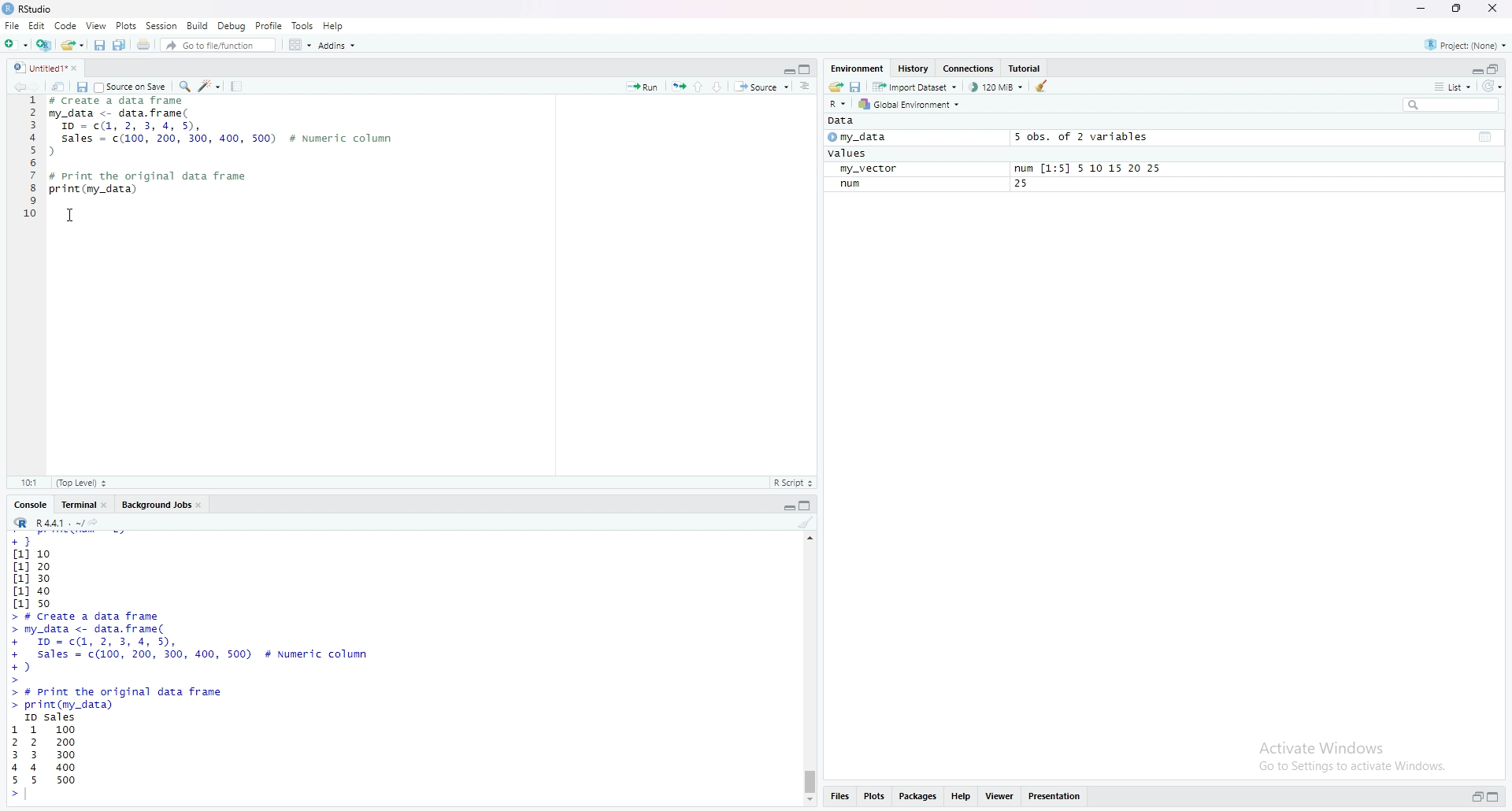 This screenshot has width=1512, height=811. Describe the element at coordinates (812, 801) in the screenshot. I see `move down` at that location.